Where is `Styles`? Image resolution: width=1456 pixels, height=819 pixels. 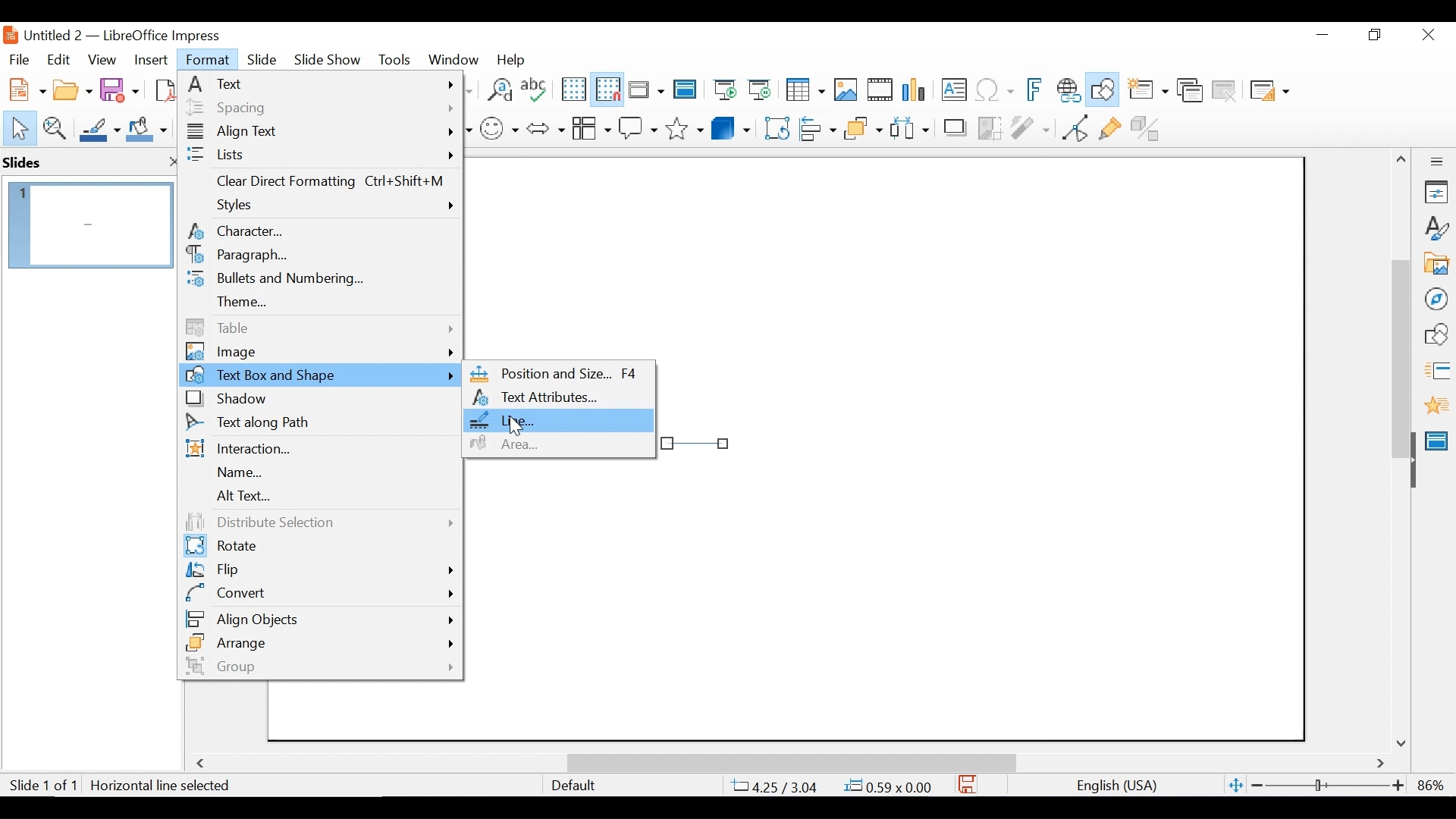 Styles is located at coordinates (1437, 229).